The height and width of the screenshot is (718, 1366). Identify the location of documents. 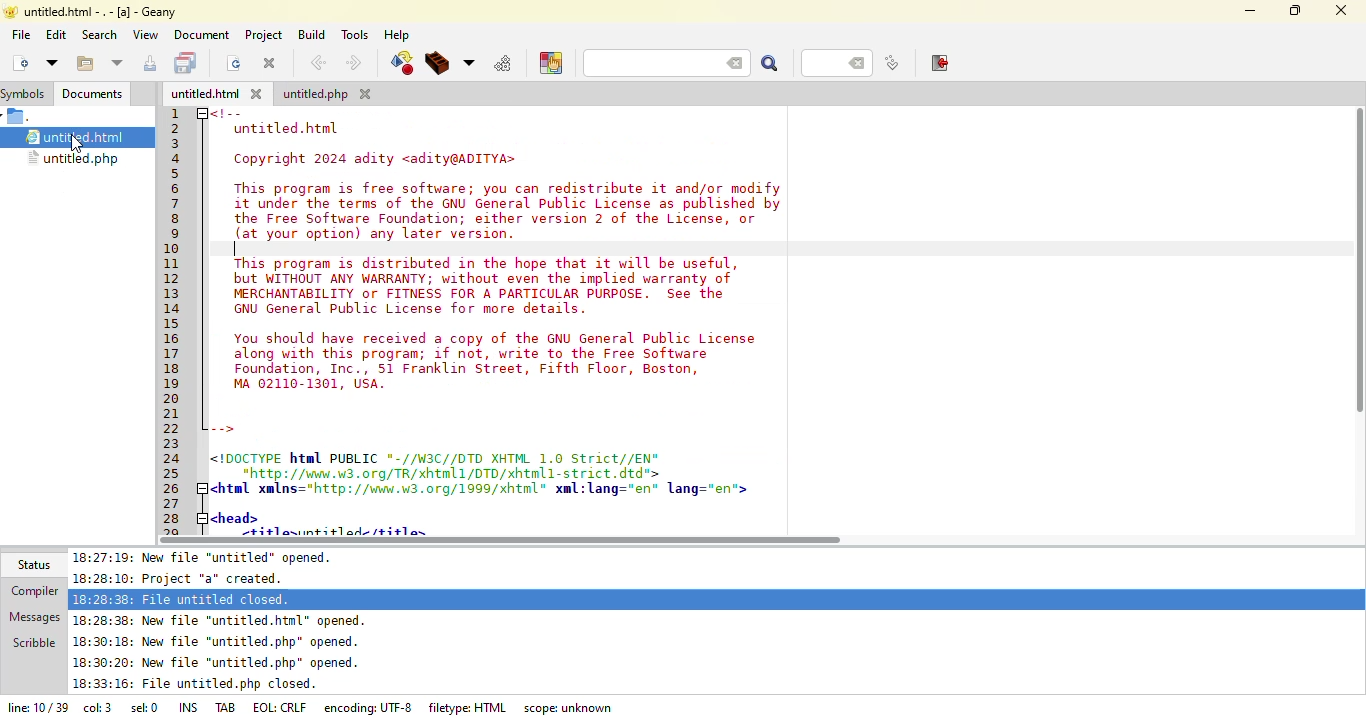
(95, 92).